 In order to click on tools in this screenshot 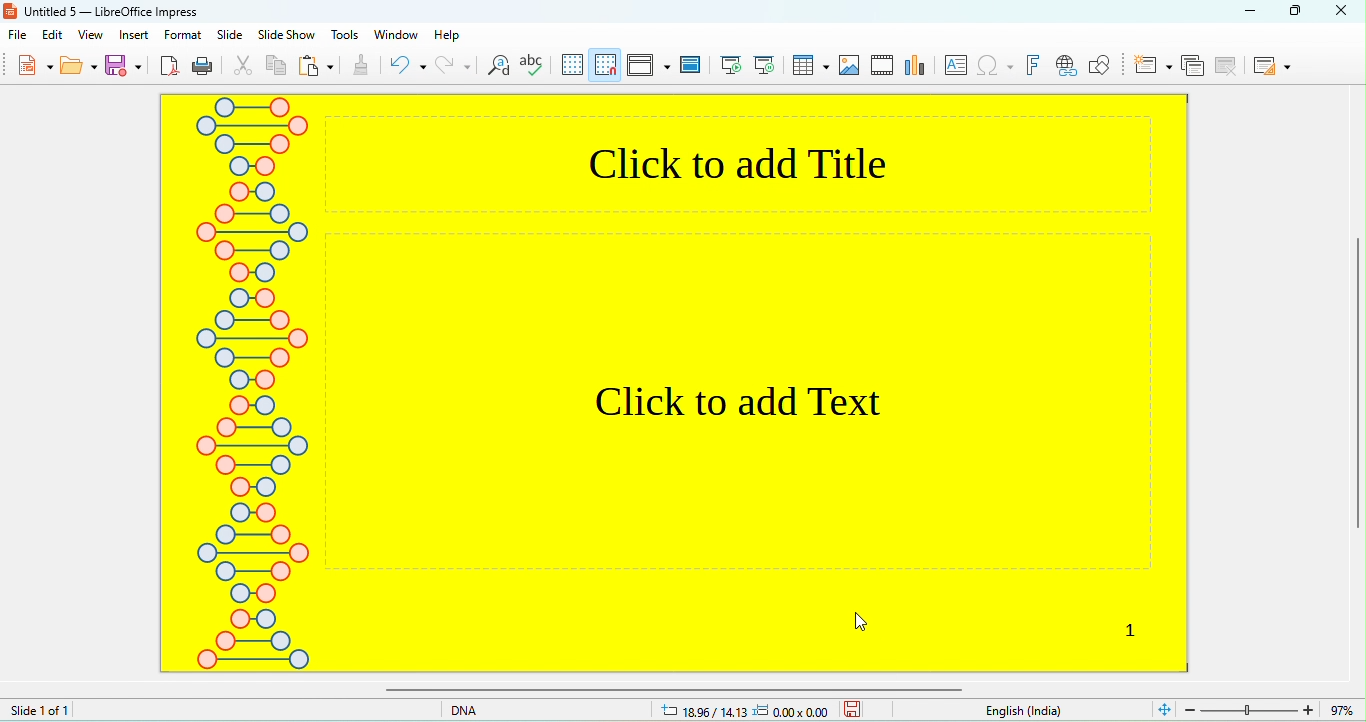, I will do `click(346, 35)`.